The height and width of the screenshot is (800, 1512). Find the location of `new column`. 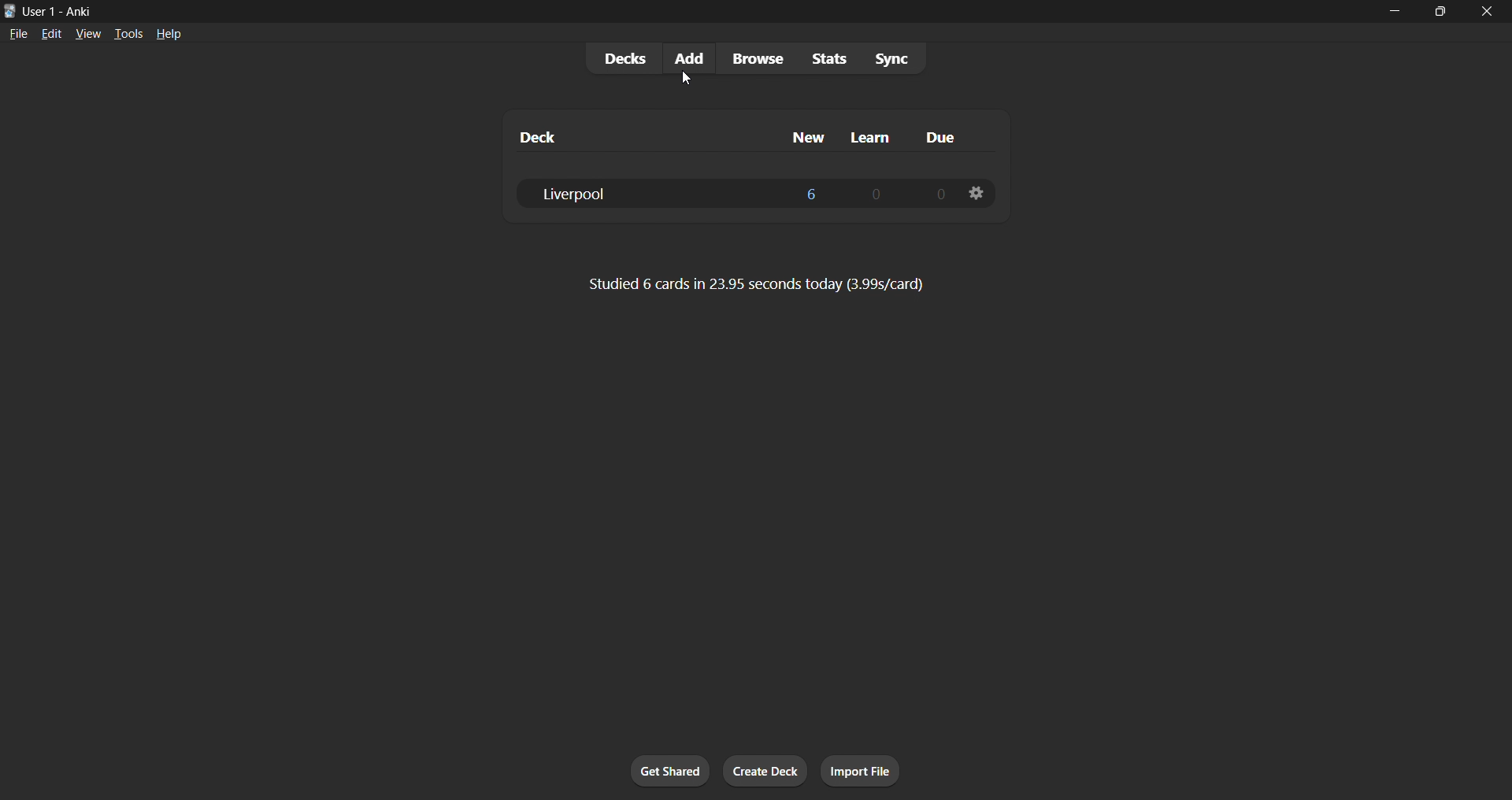

new column is located at coordinates (808, 138).